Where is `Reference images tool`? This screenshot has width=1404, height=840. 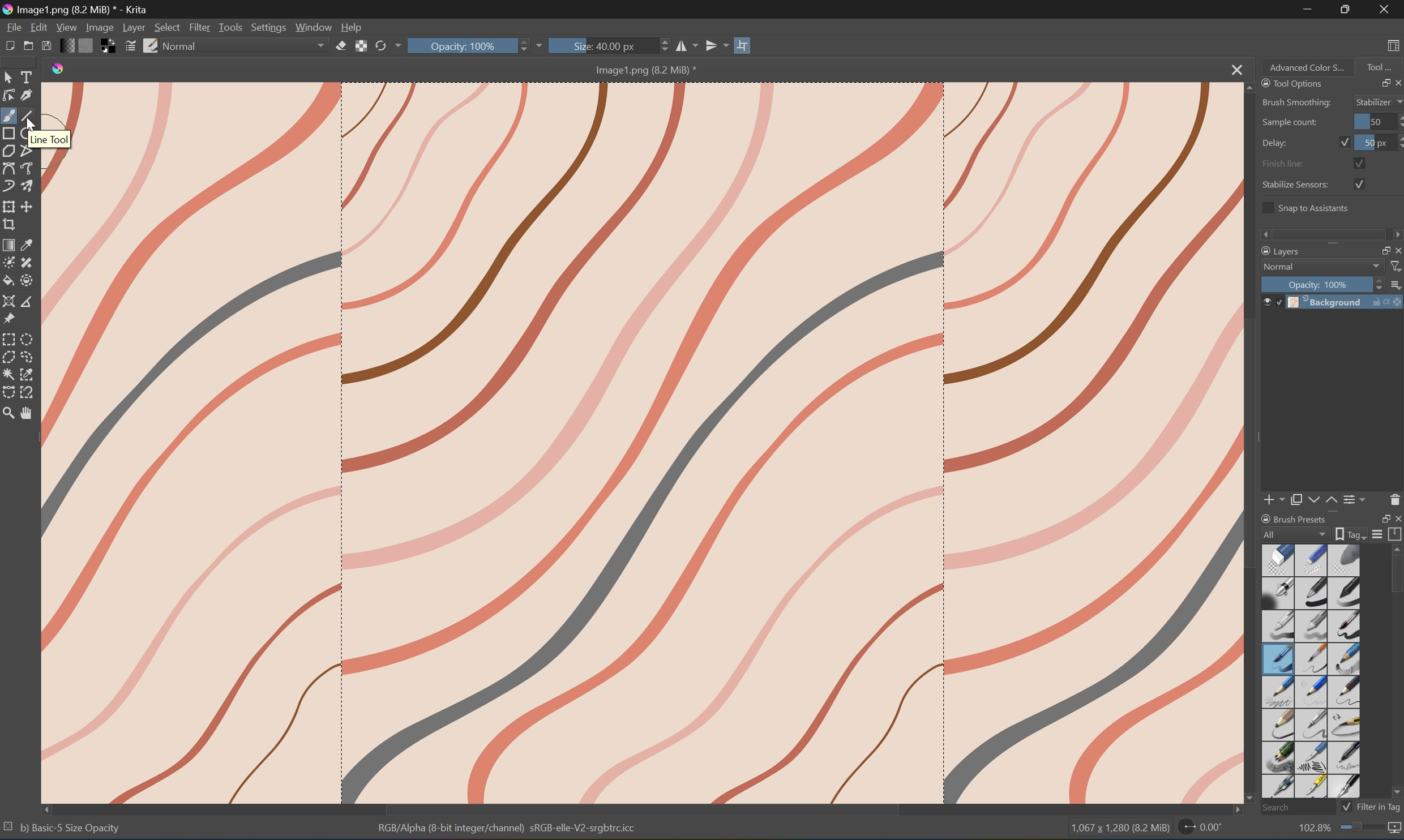
Reference images tool is located at coordinates (9, 320).